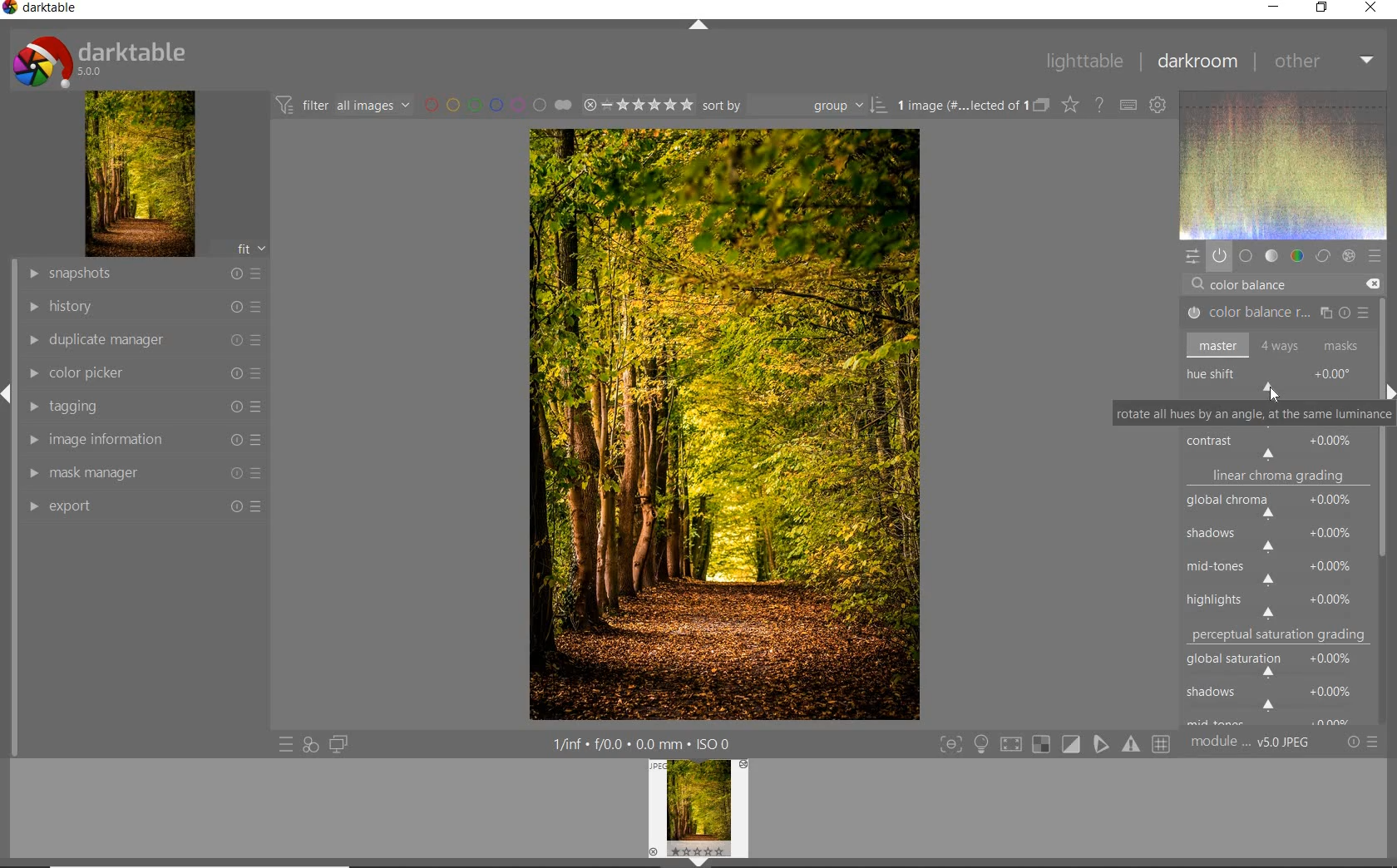 This screenshot has height=868, width=1397. Describe the element at coordinates (147, 274) in the screenshot. I see `snapshots` at that location.